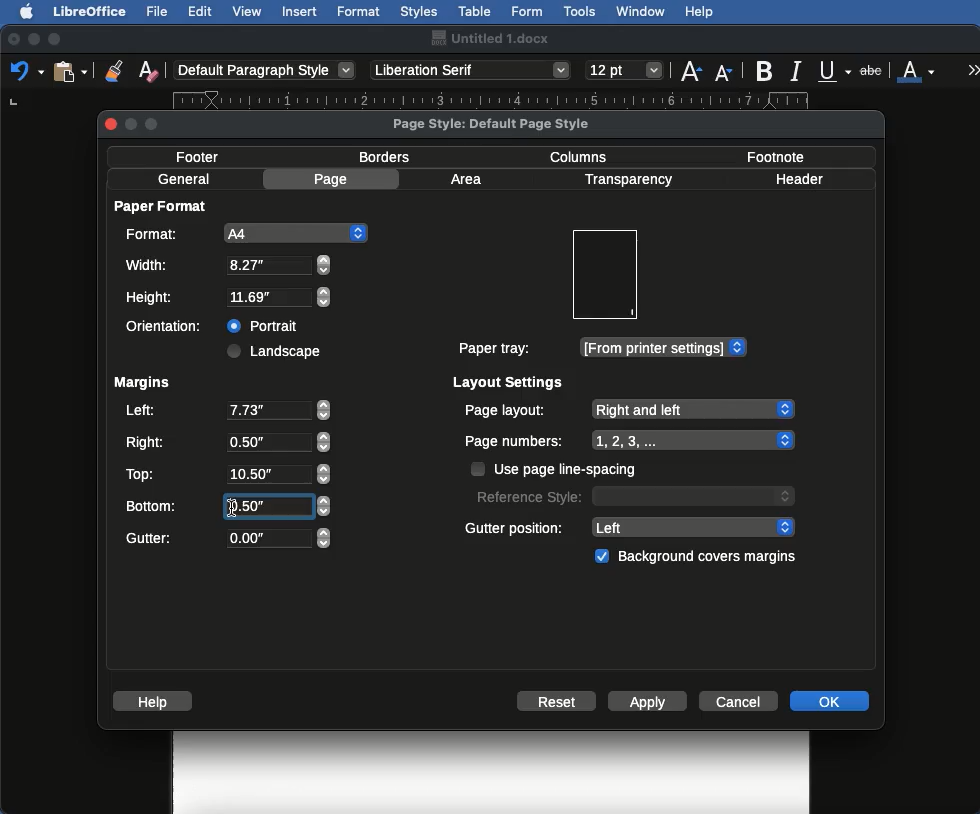  What do you see at coordinates (141, 383) in the screenshot?
I see `Margins` at bounding box center [141, 383].